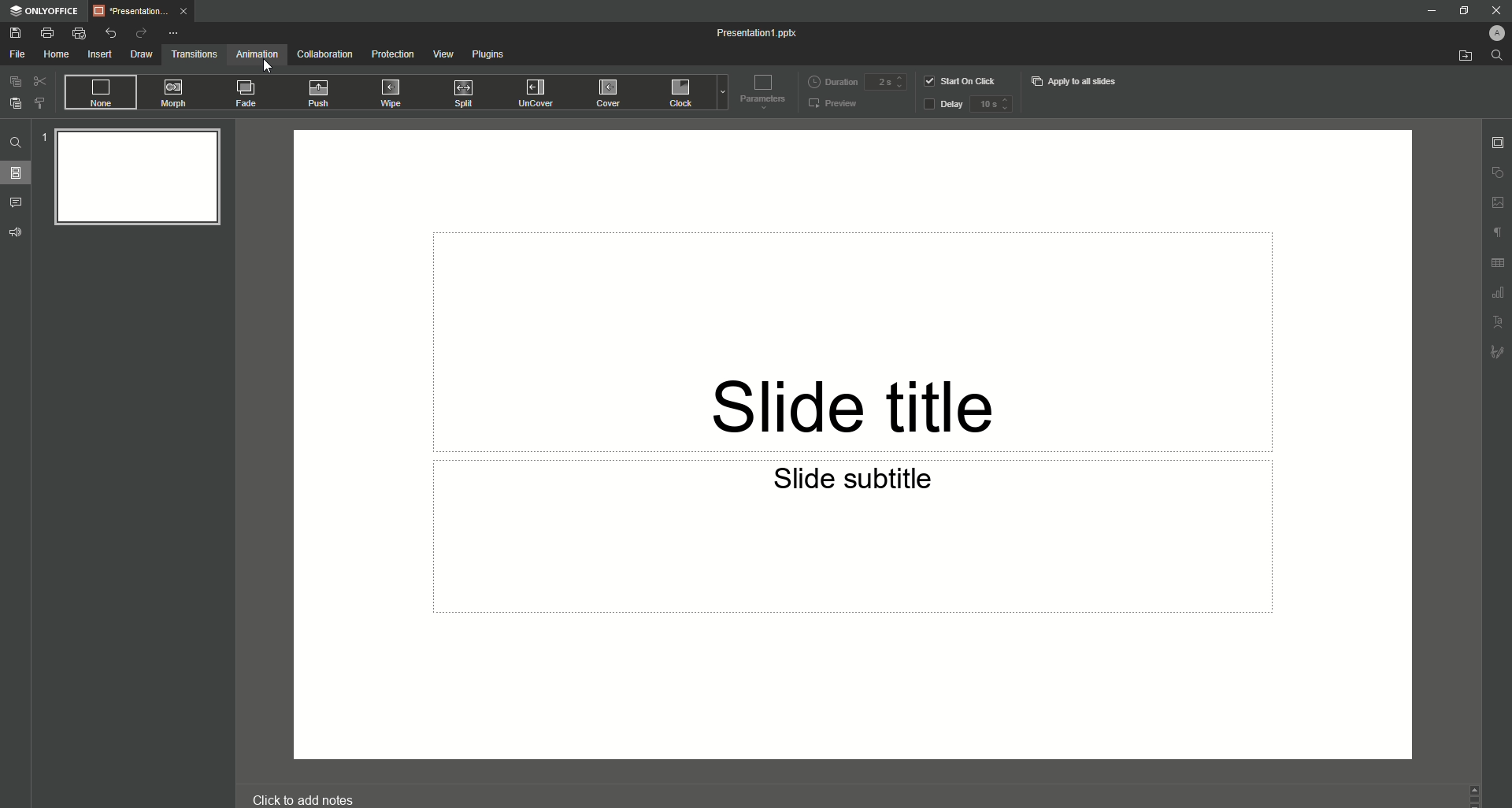  I want to click on Slide Settings, so click(1498, 141).